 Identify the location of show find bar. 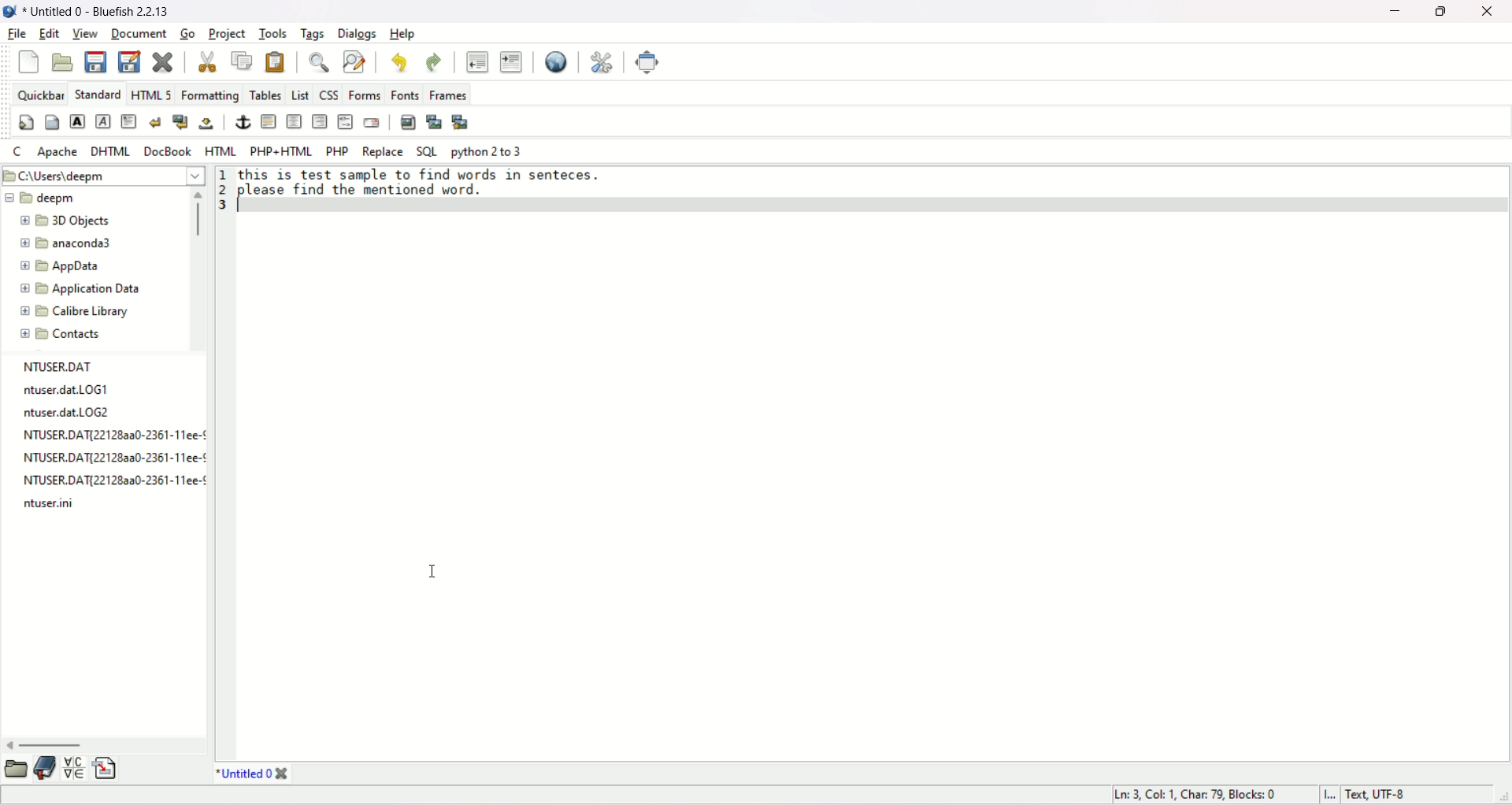
(318, 60).